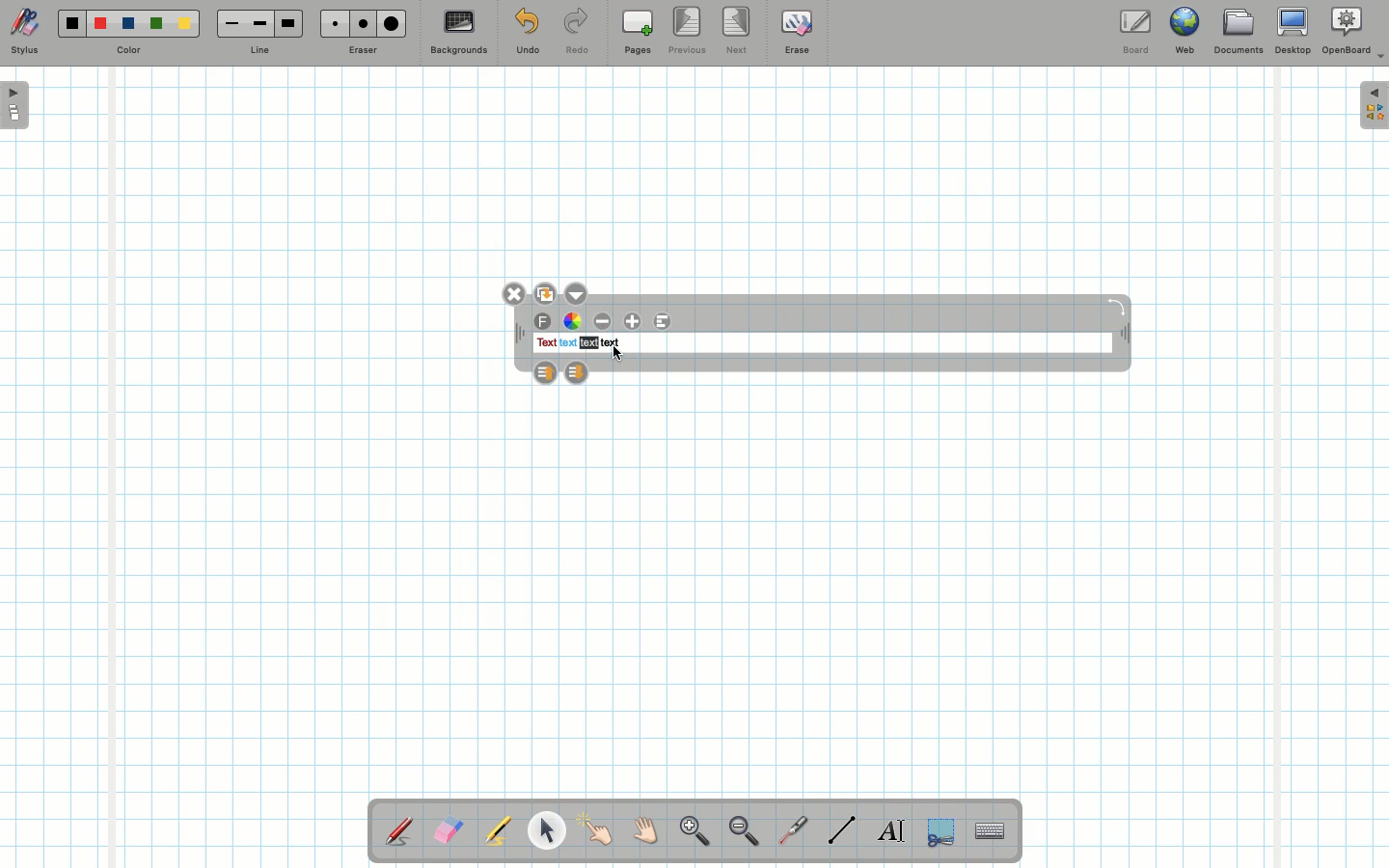 Image resolution: width=1389 pixels, height=868 pixels. Describe the element at coordinates (360, 23) in the screenshot. I see `Medium eraser` at that location.